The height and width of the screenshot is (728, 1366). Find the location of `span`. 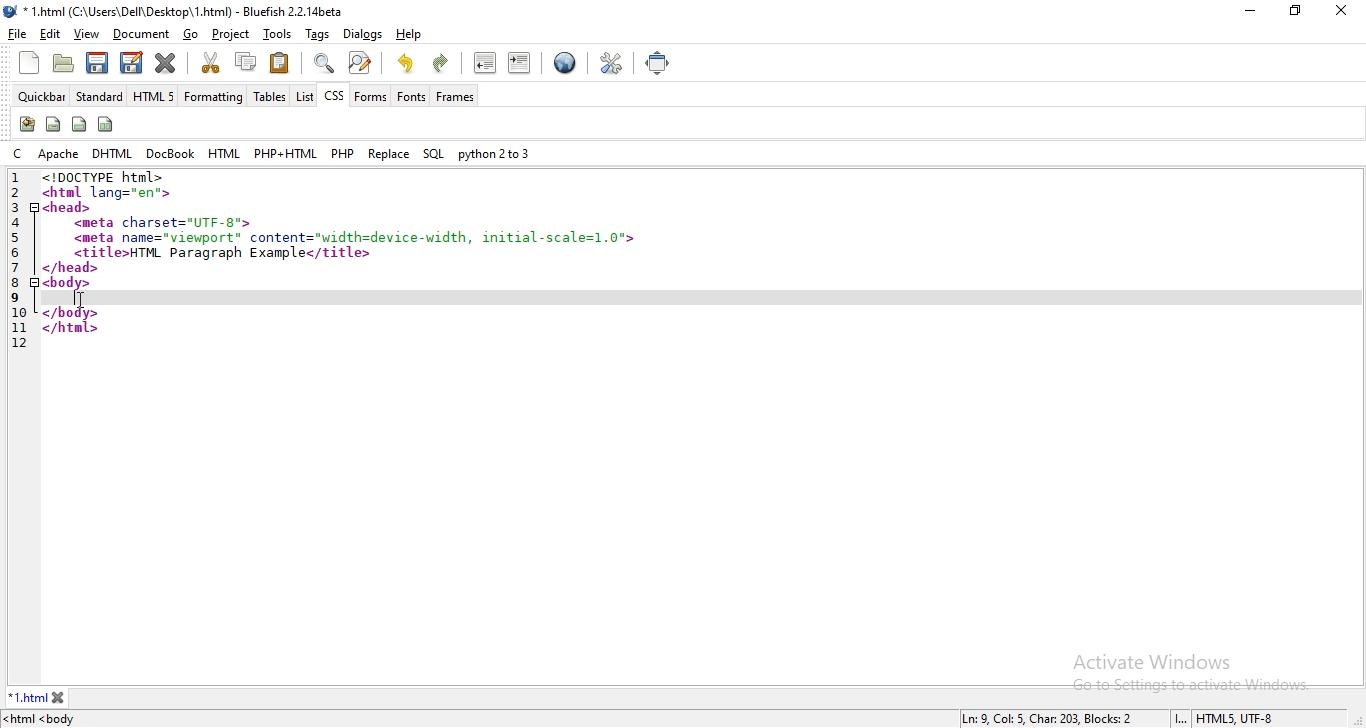

span is located at coordinates (54, 123).